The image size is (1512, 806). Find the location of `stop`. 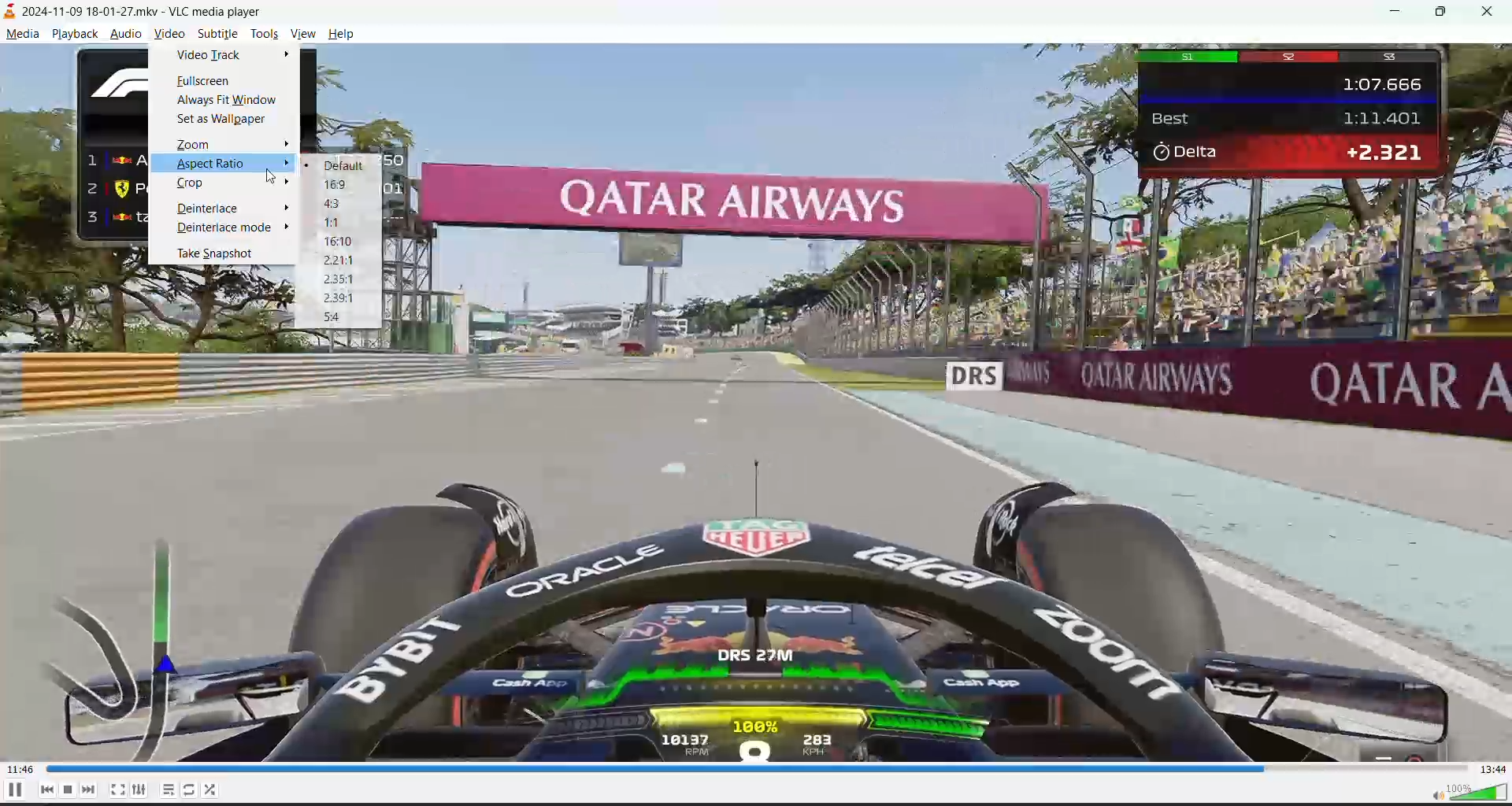

stop is located at coordinates (70, 790).